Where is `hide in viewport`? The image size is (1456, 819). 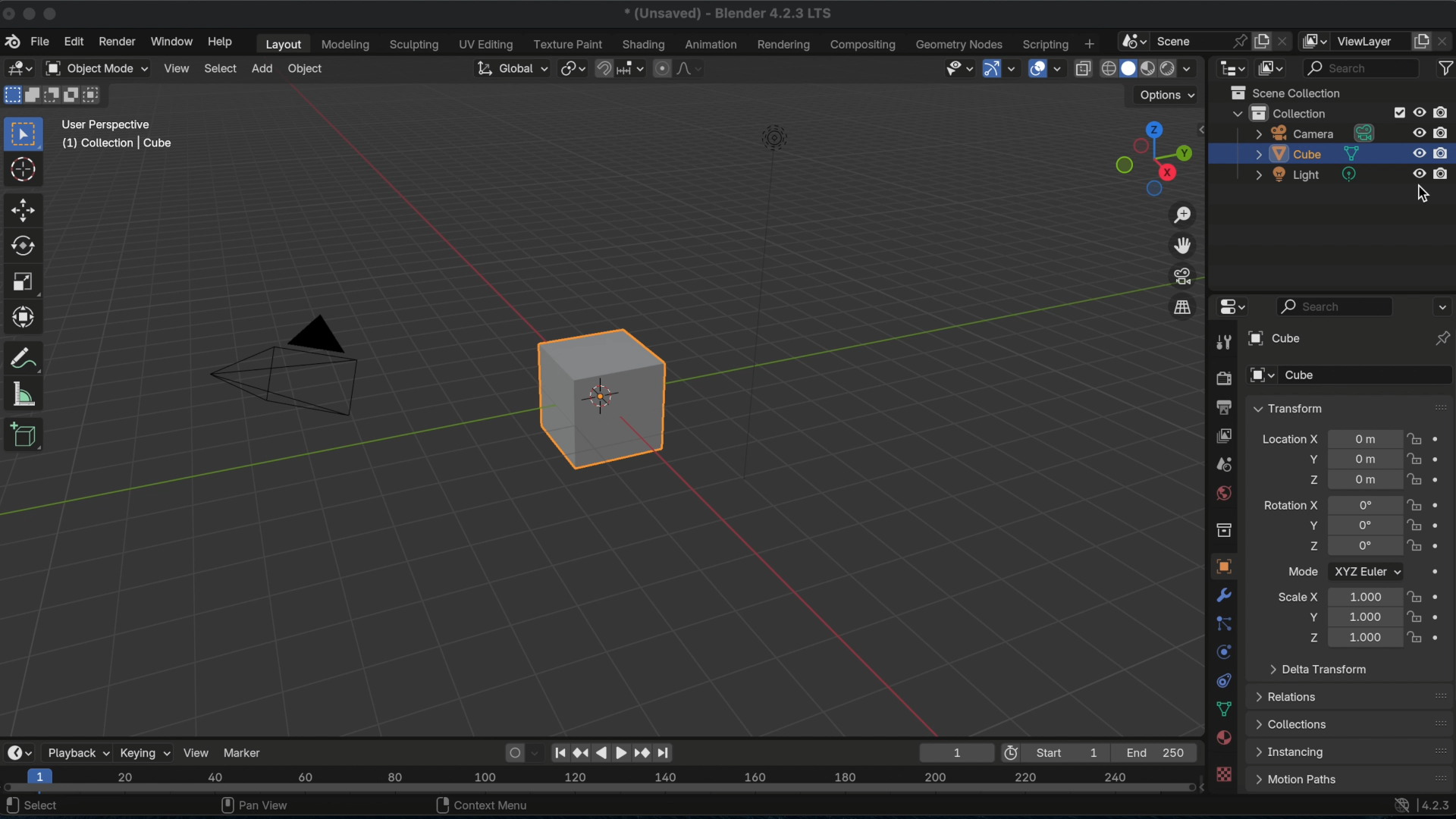
hide in viewport is located at coordinates (1419, 112).